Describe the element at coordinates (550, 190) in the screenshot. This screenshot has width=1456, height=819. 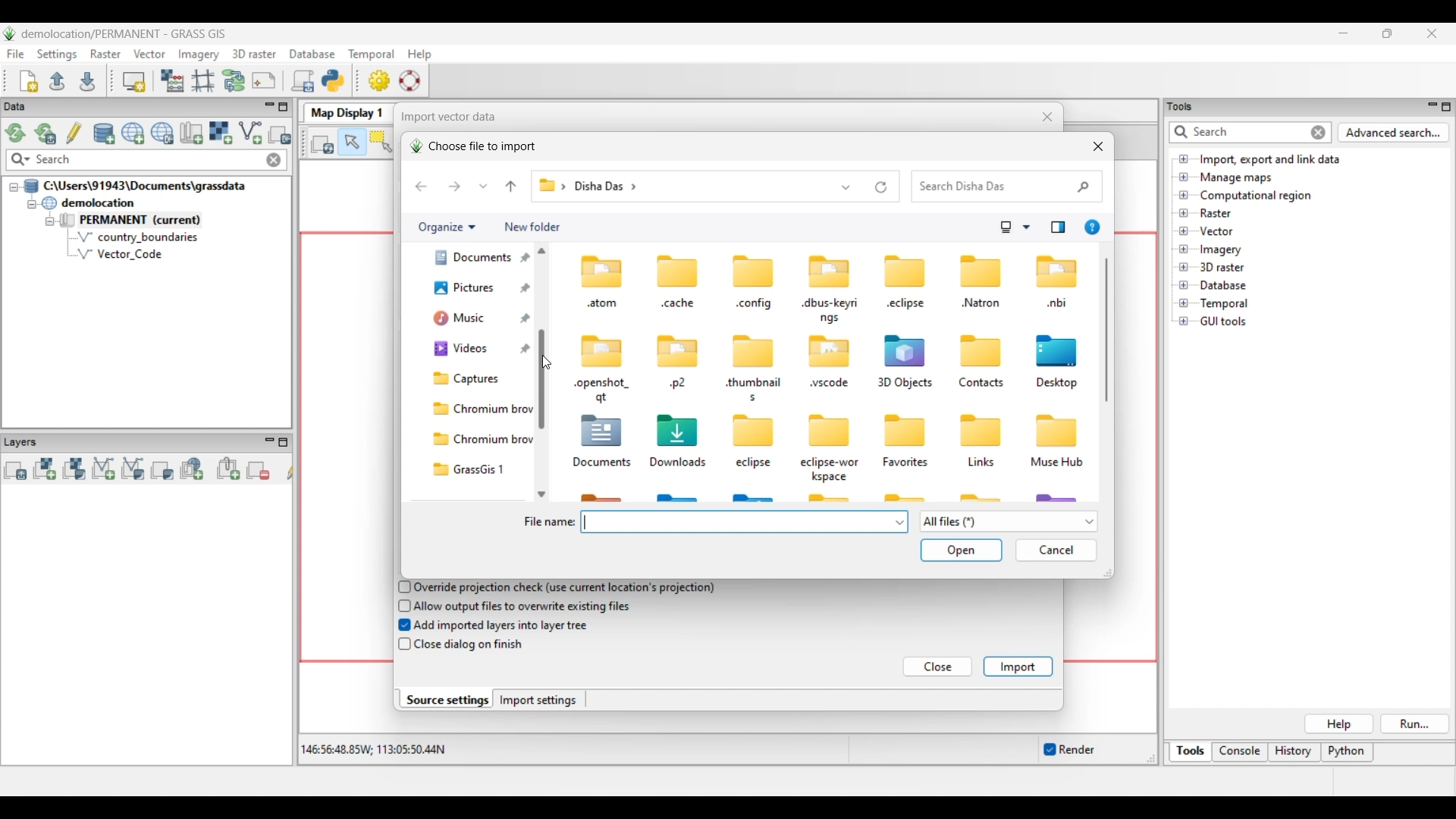
I see `Path of current folder` at that location.